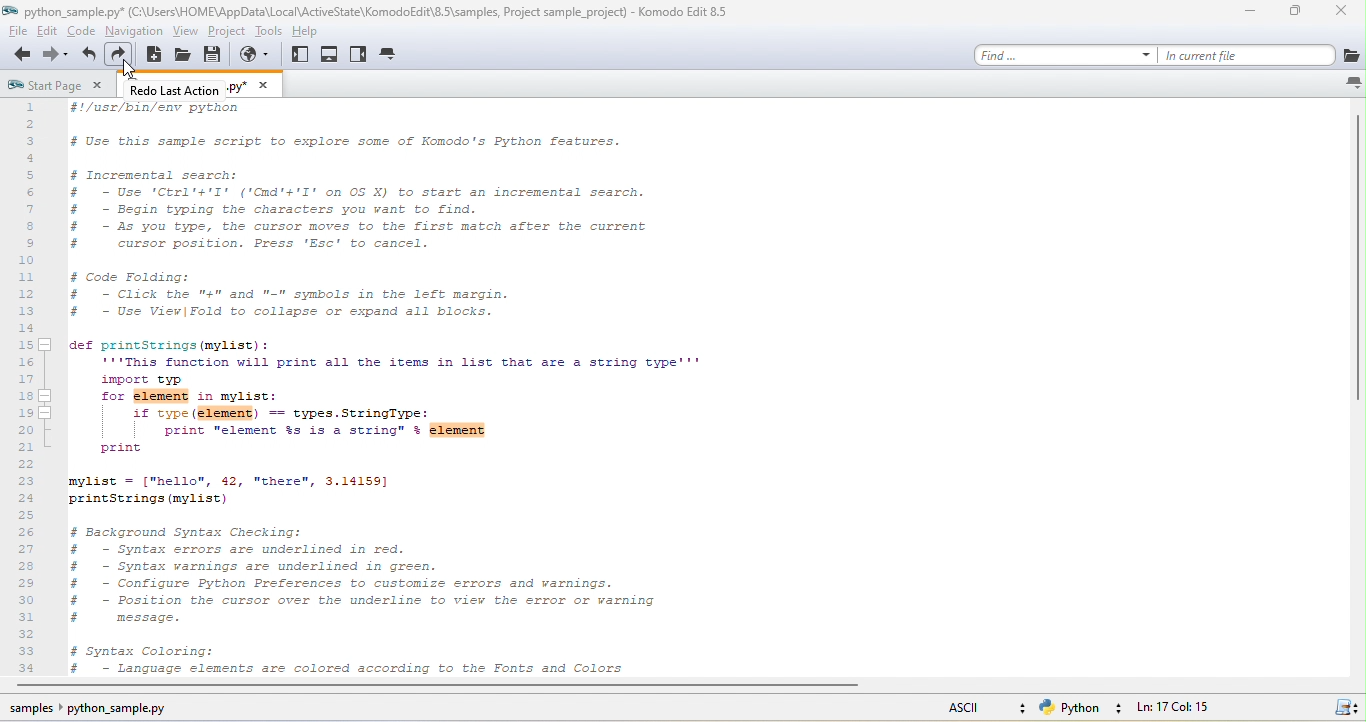 Image resolution: width=1366 pixels, height=722 pixels. Describe the element at coordinates (1247, 54) in the screenshot. I see `in current file` at that location.